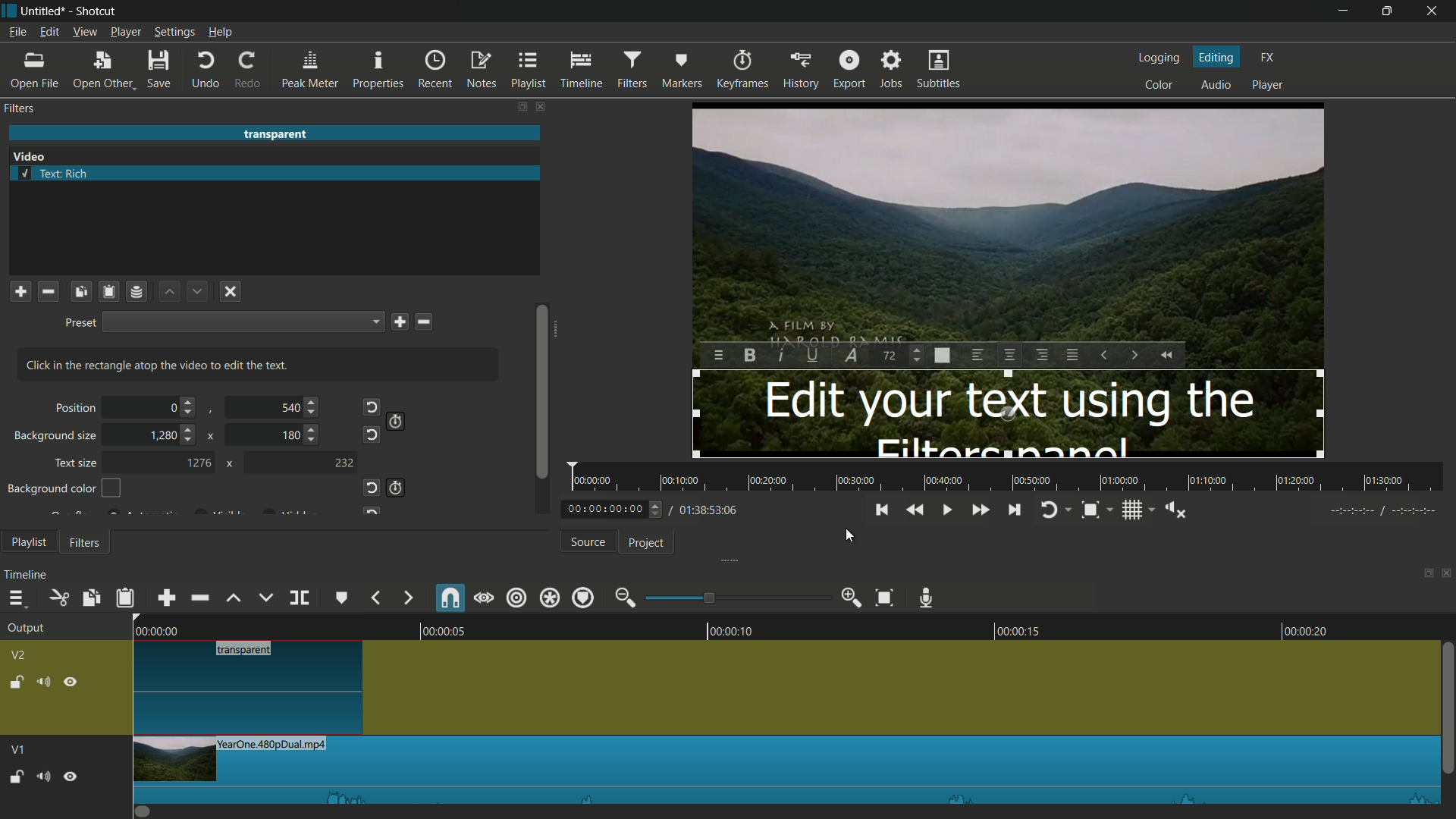  What do you see at coordinates (914, 508) in the screenshot?
I see `back` at bounding box center [914, 508].